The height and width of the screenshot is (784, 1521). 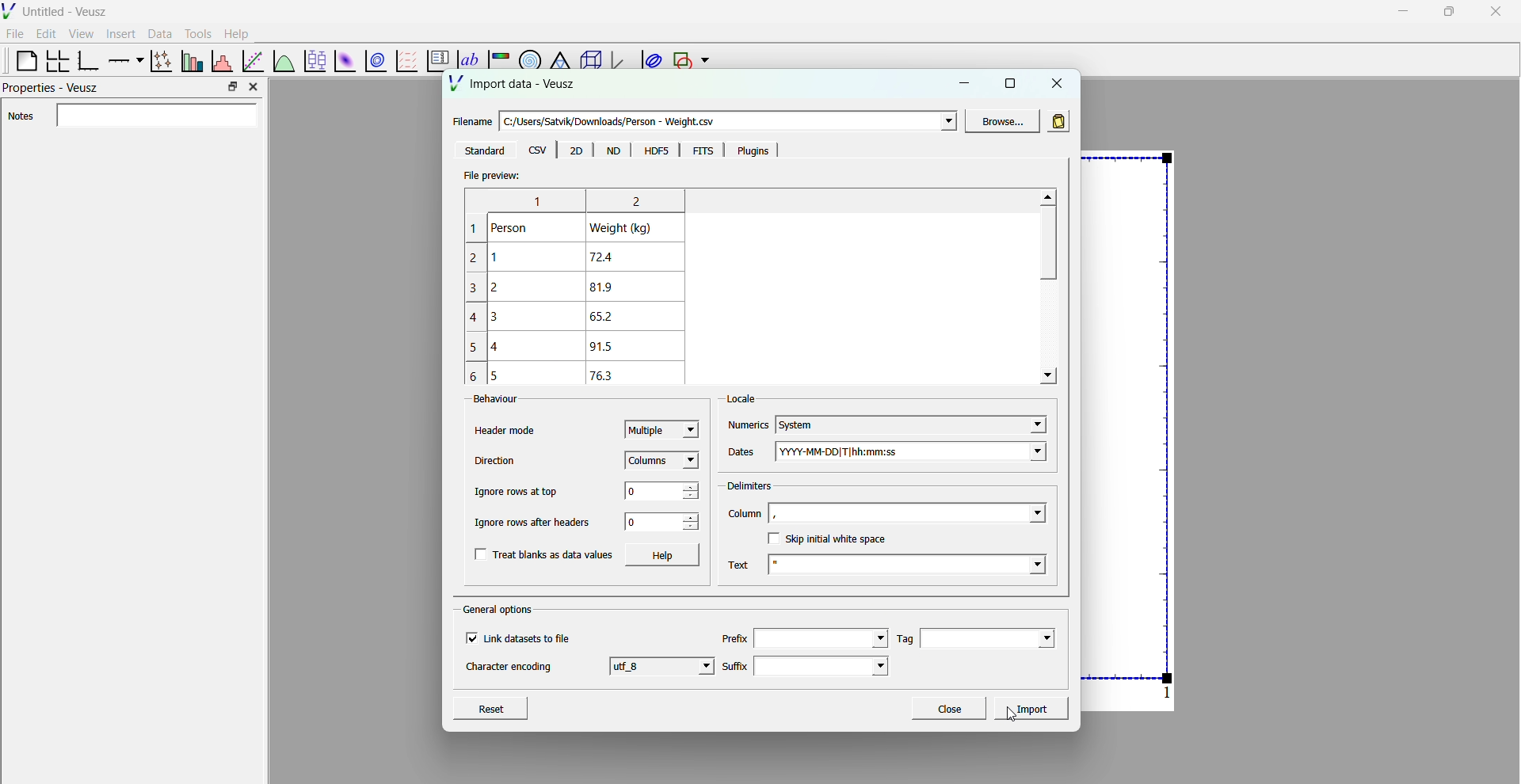 I want to click on plot functions, so click(x=283, y=60).